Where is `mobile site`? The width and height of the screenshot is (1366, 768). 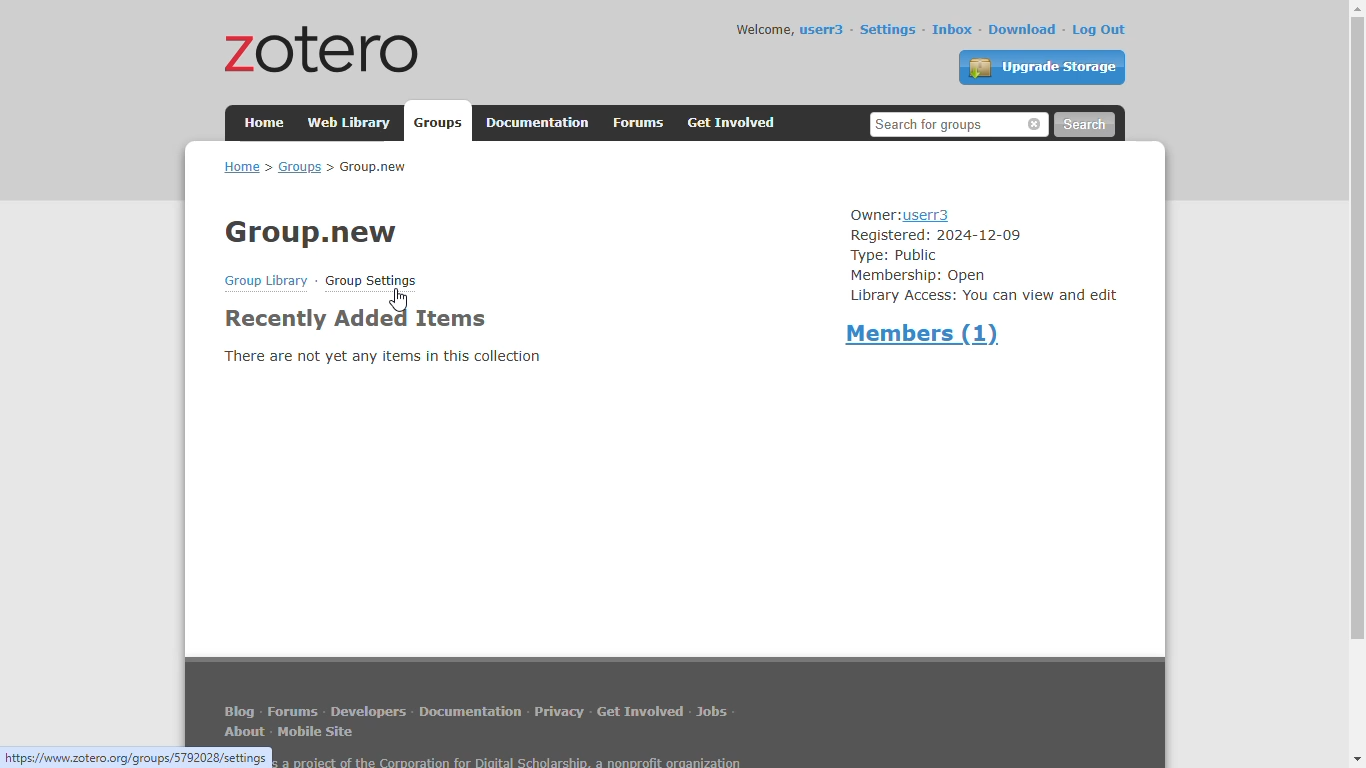 mobile site is located at coordinates (318, 732).